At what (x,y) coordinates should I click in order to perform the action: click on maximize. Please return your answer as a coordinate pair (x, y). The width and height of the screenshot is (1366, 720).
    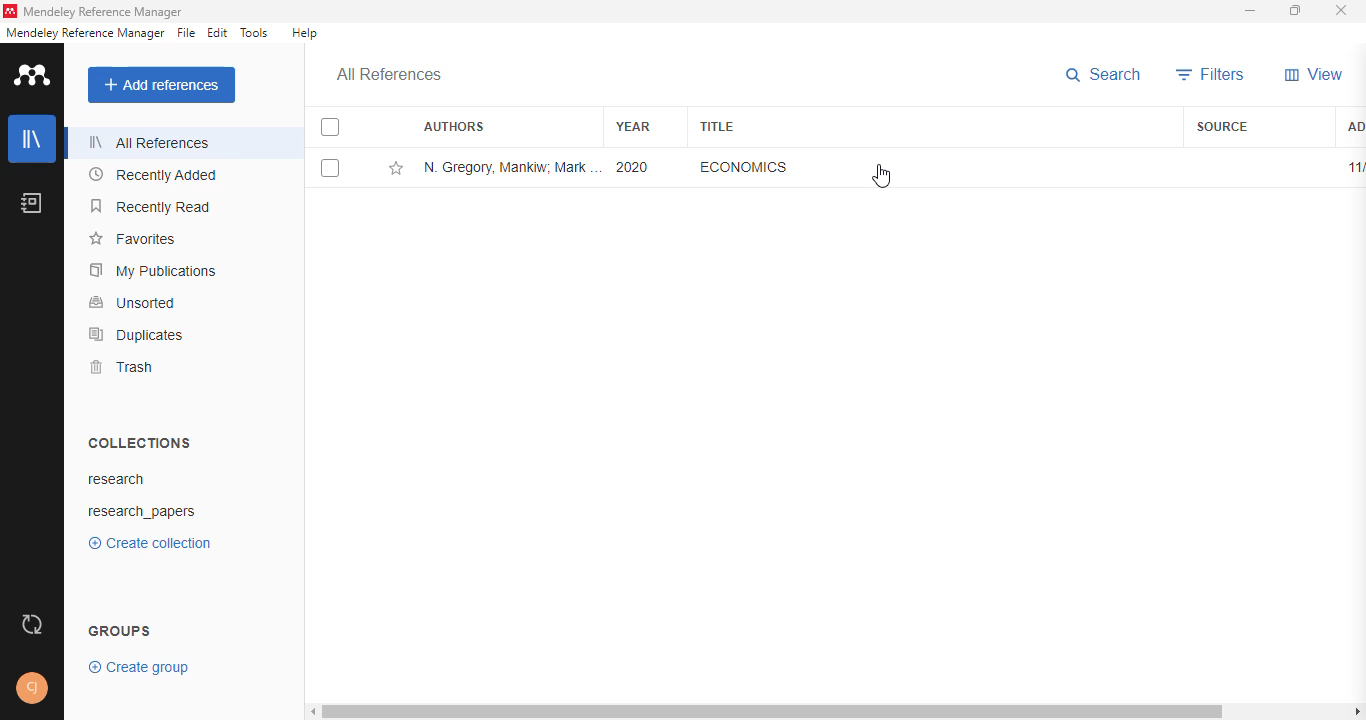
    Looking at the image, I should click on (1298, 11).